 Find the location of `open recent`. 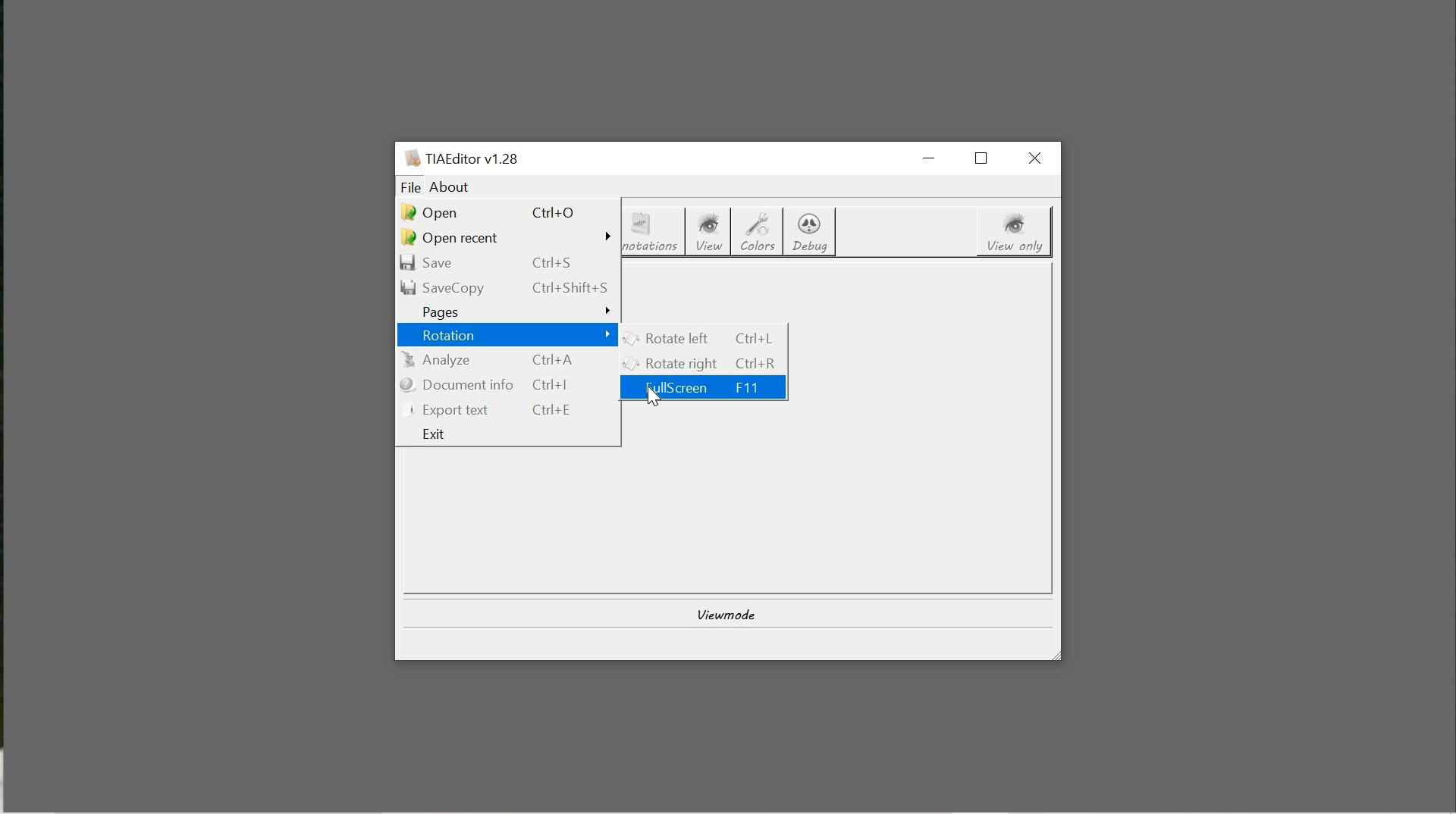

open recent is located at coordinates (507, 238).